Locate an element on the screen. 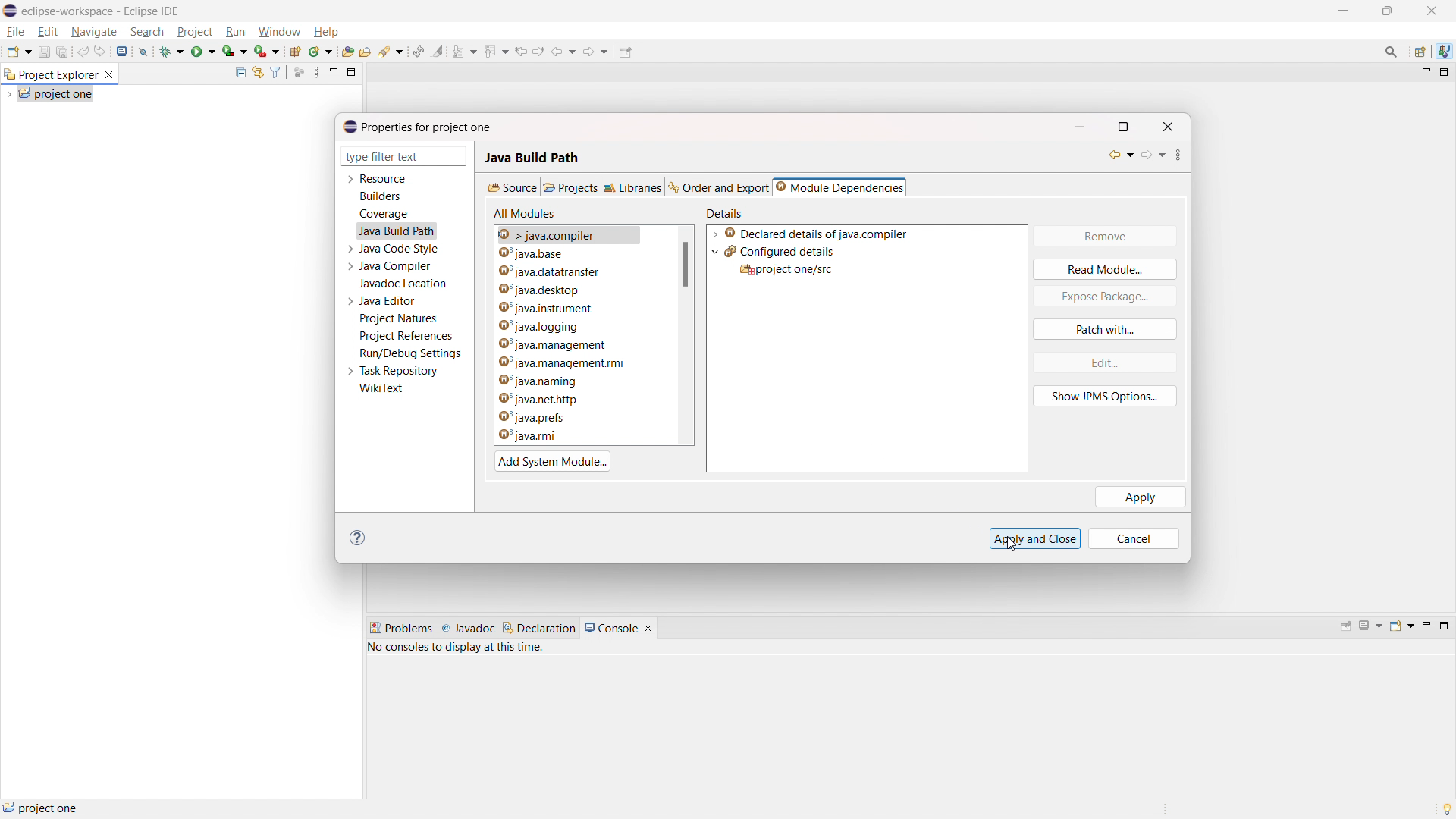 The height and width of the screenshot is (819, 1456). libraries is located at coordinates (634, 187).